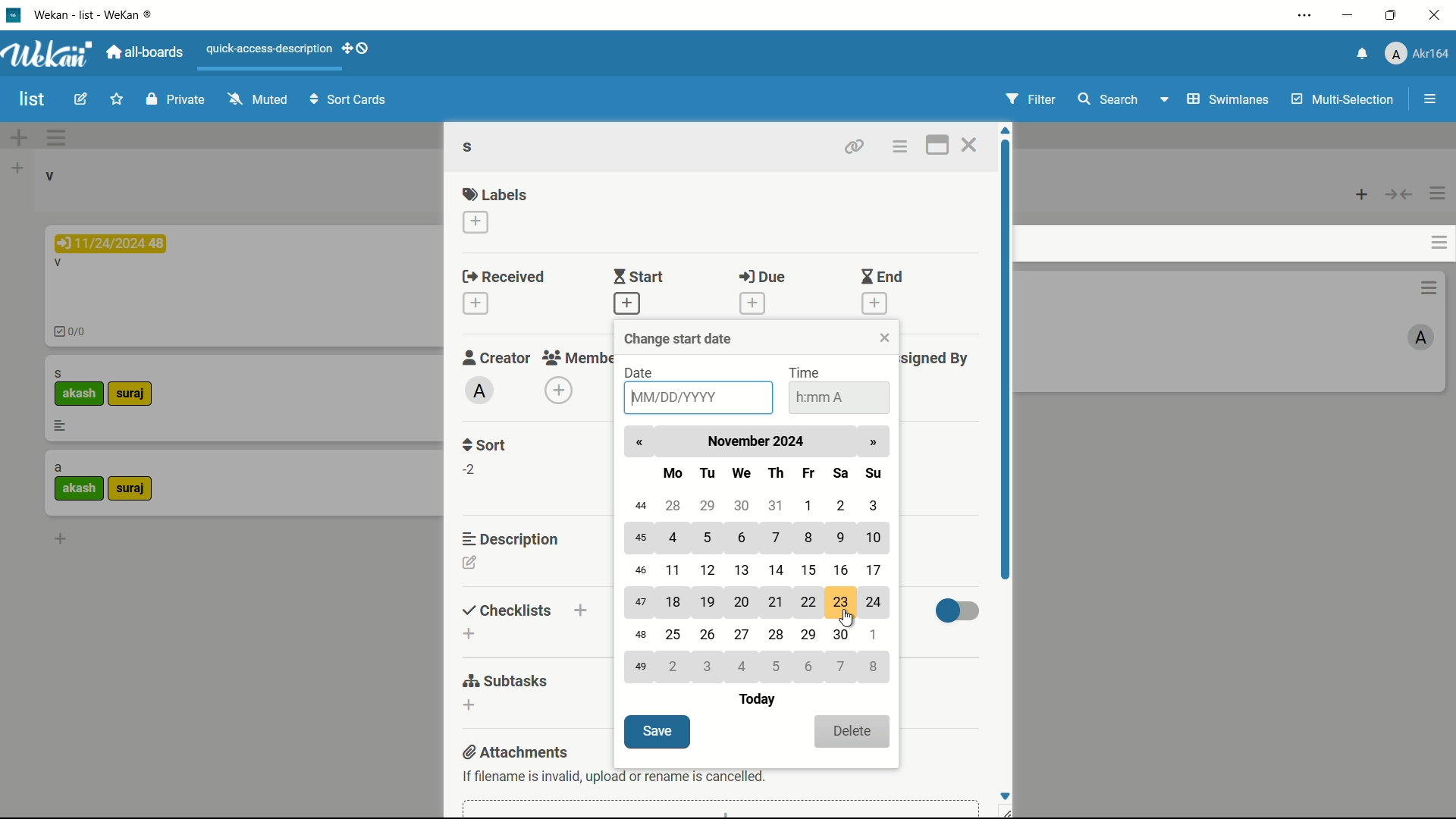 The image size is (1456, 819). I want to click on edit, so click(80, 99).